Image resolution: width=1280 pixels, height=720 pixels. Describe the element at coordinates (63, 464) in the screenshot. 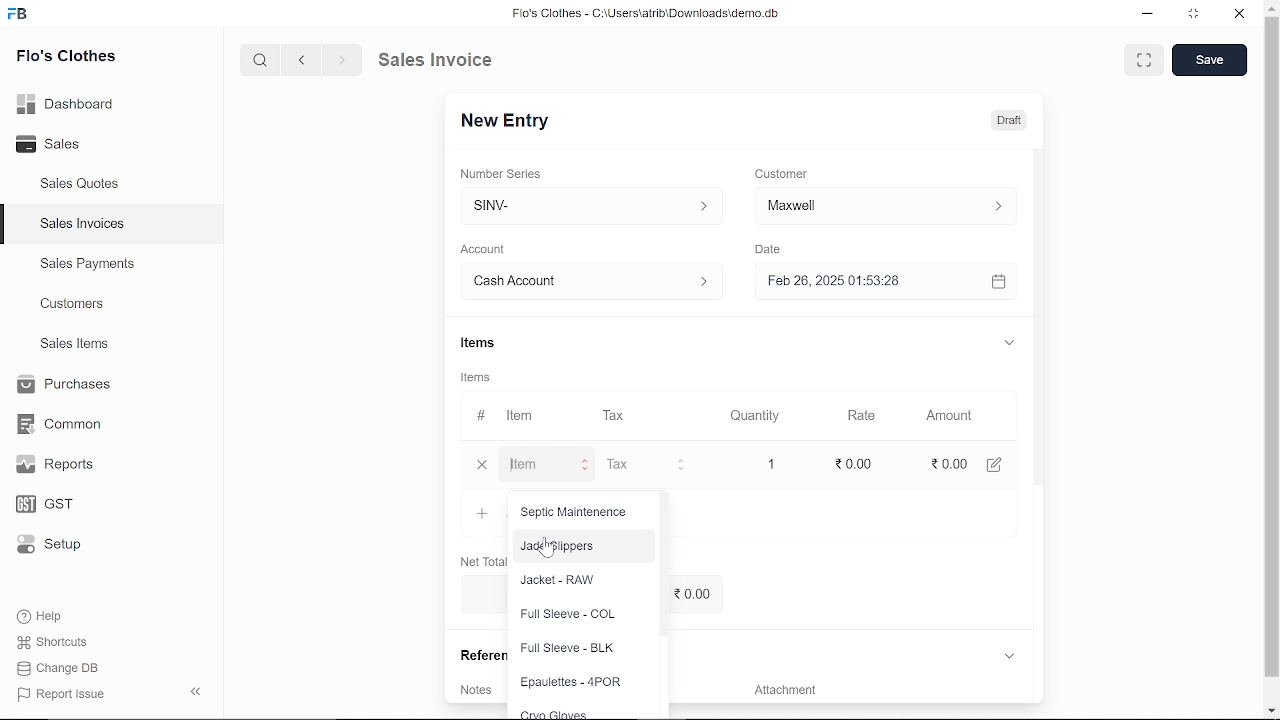

I see `Reports.` at that location.